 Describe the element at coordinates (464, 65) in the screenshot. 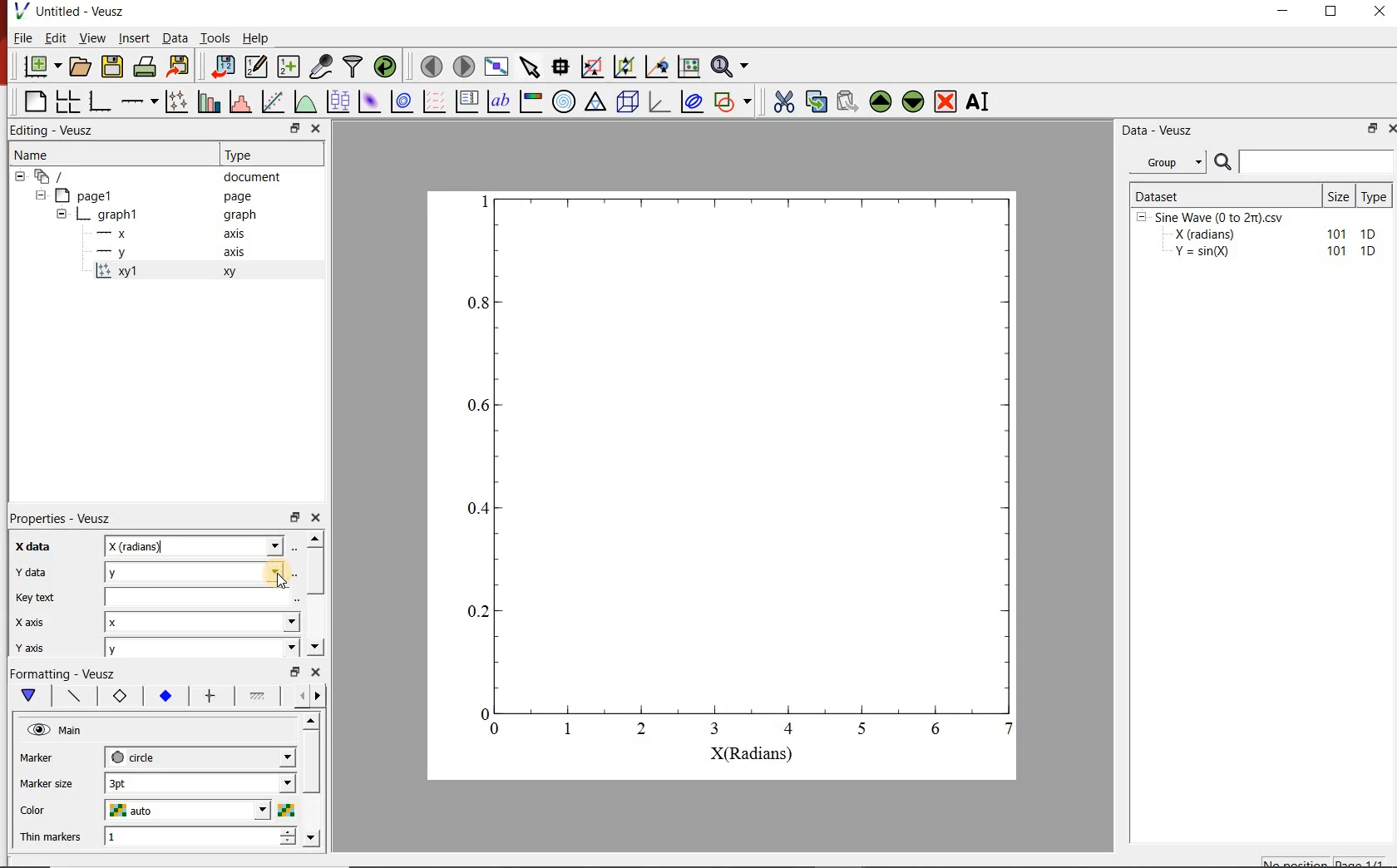

I see `go to next page` at that location.